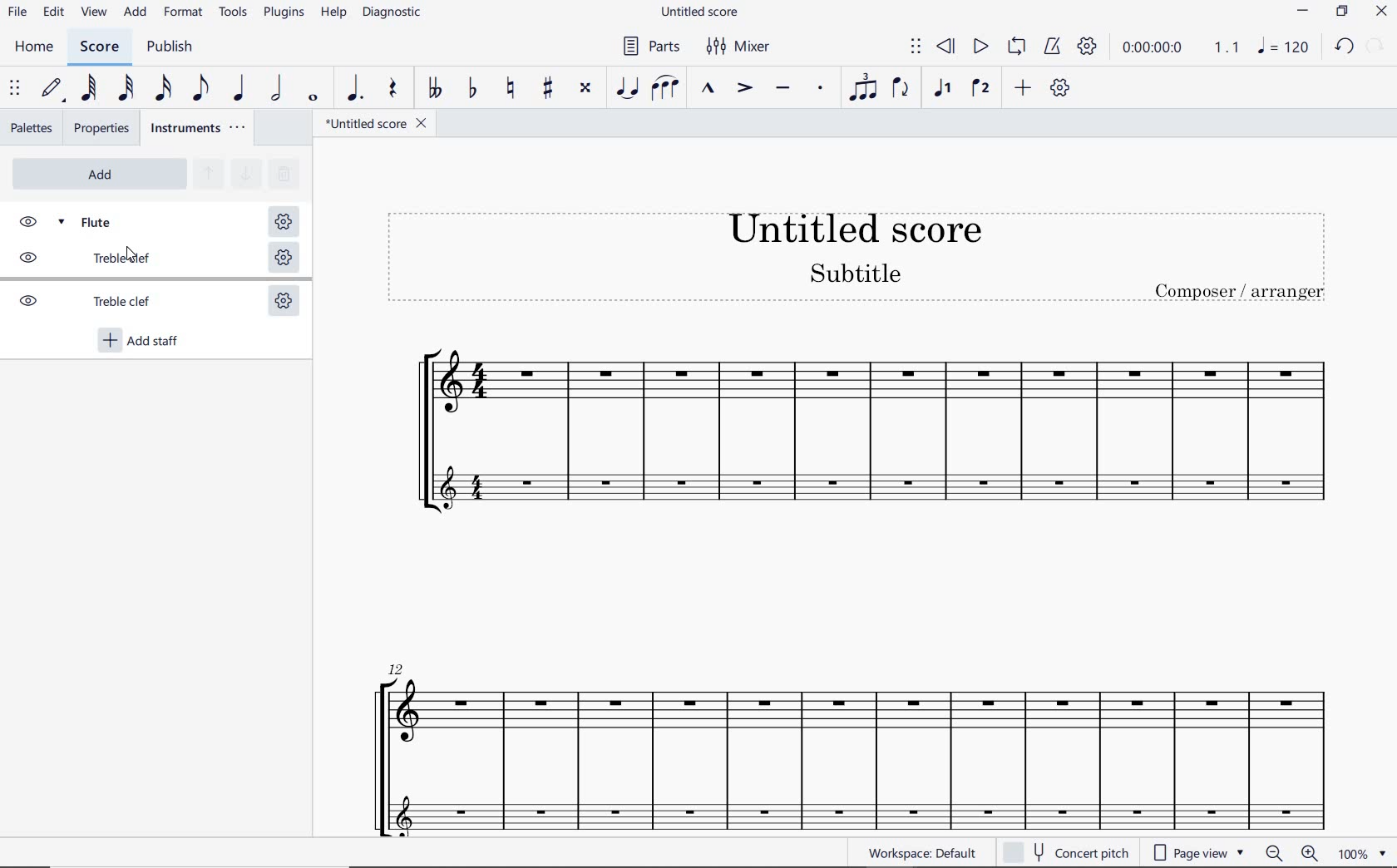 The height and width of the screenshot is (868, 1397). I want to click on QUARTER NOTE, so click(239, 89).